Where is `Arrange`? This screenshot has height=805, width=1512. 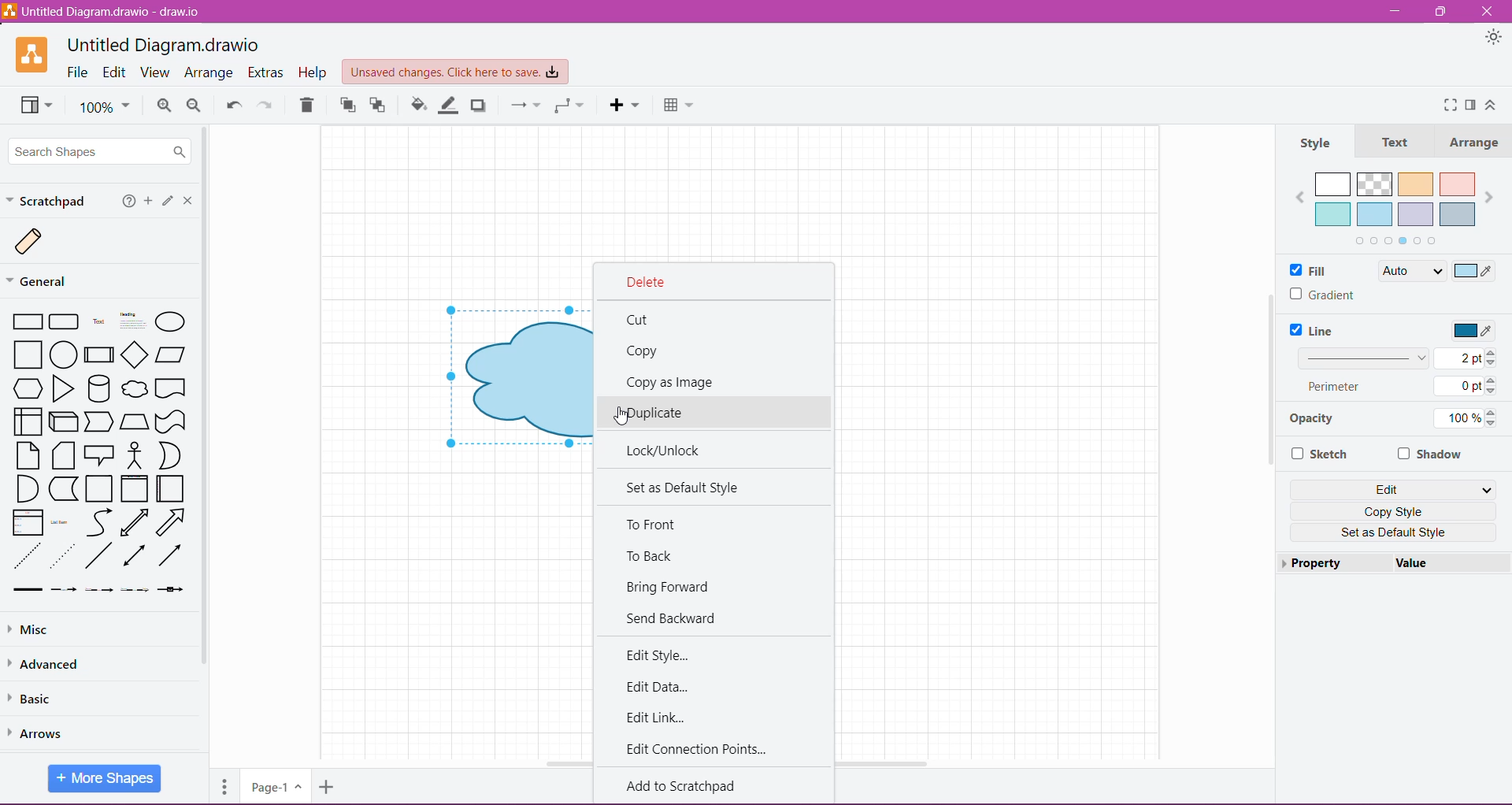 Arrange is located at coordinates (1477, 143).